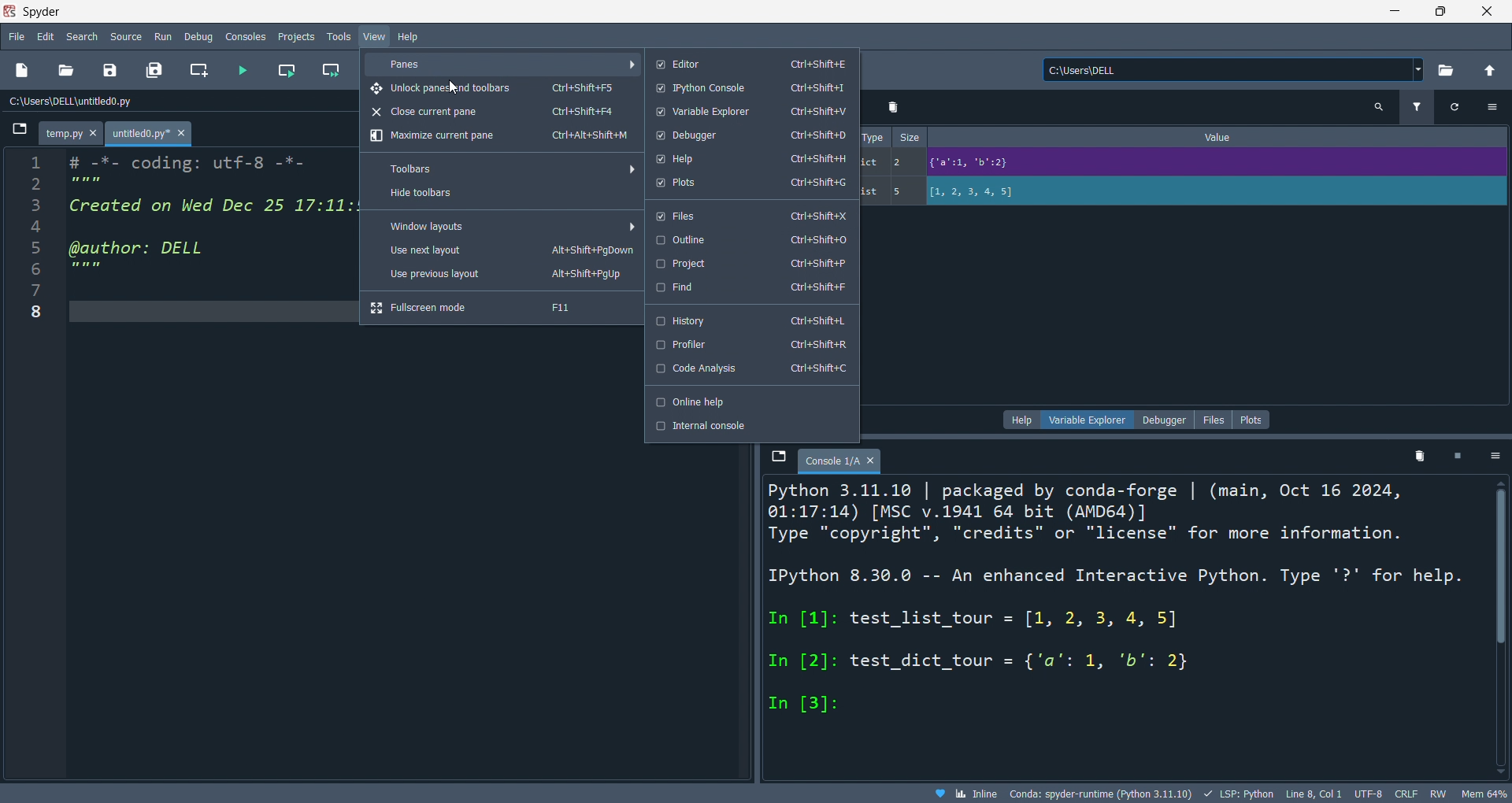 The image size is (1512, 803). What do you see at coordinates (1484, 794) in the screenshot?
I see `memory usage` at bounding box center [1484, 794].